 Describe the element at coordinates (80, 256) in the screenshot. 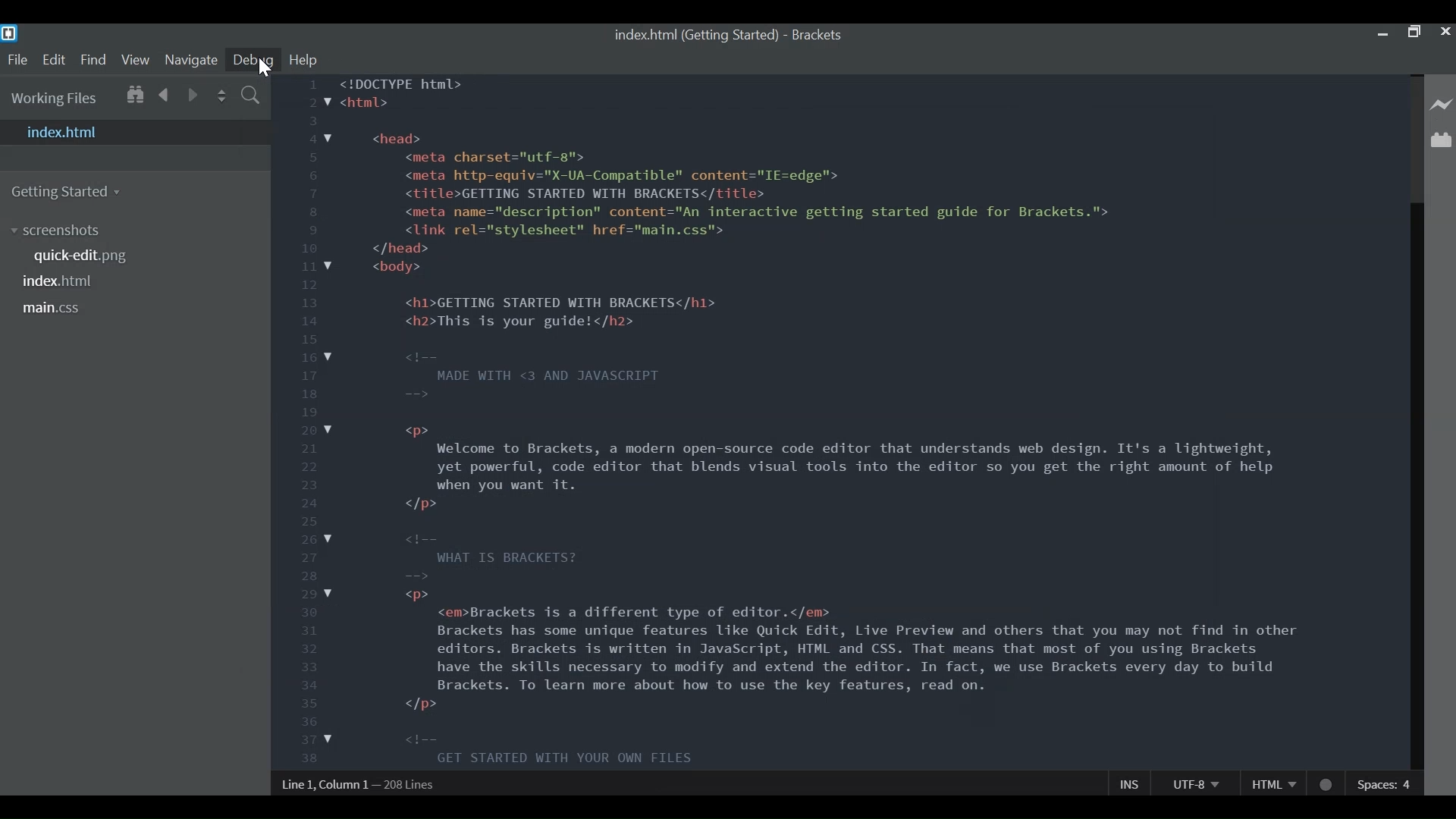

I see `quick-edit.png` at that location.